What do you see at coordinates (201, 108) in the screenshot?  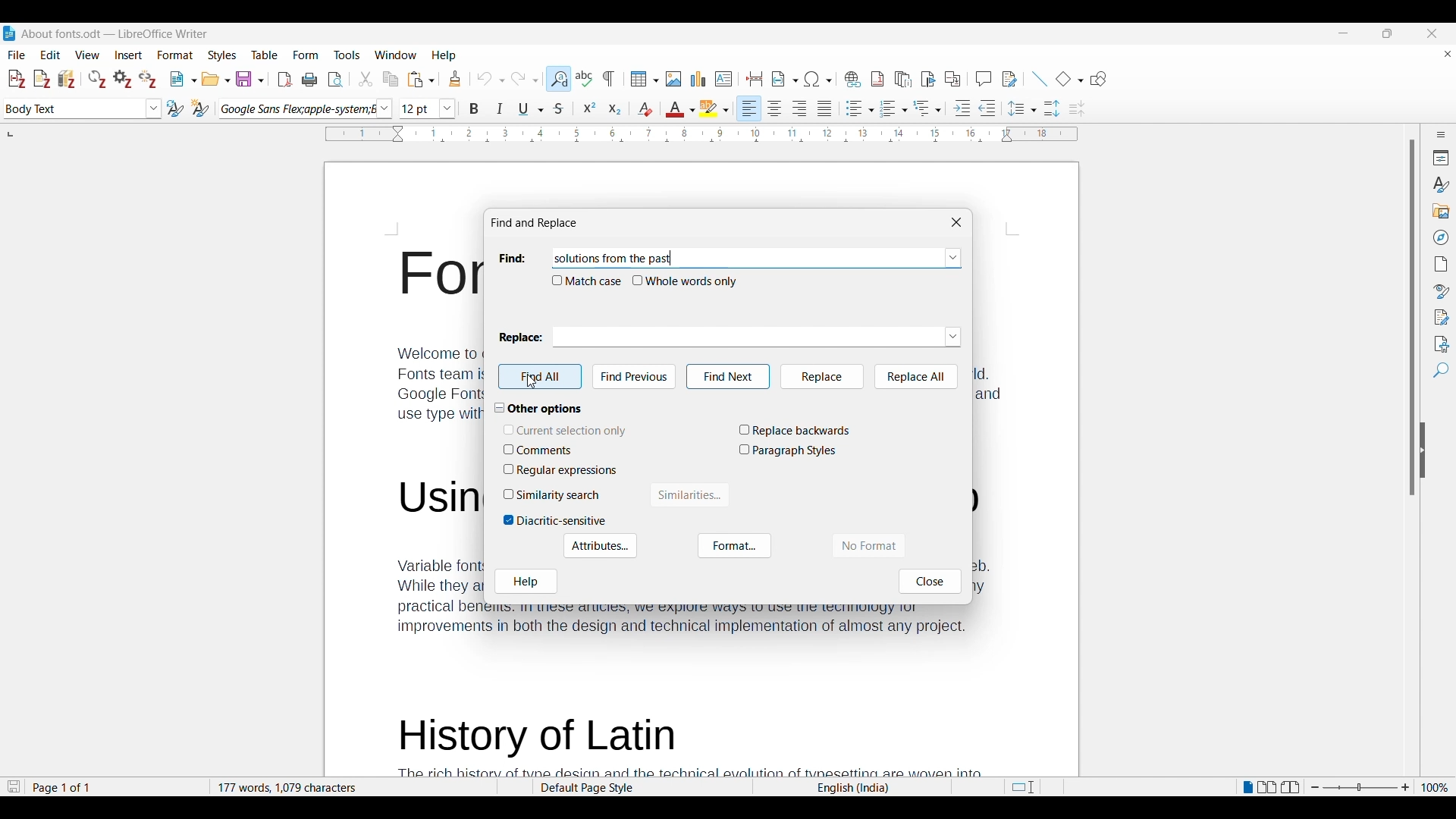 I see `New style from selection` at bounding box center [201, 108].